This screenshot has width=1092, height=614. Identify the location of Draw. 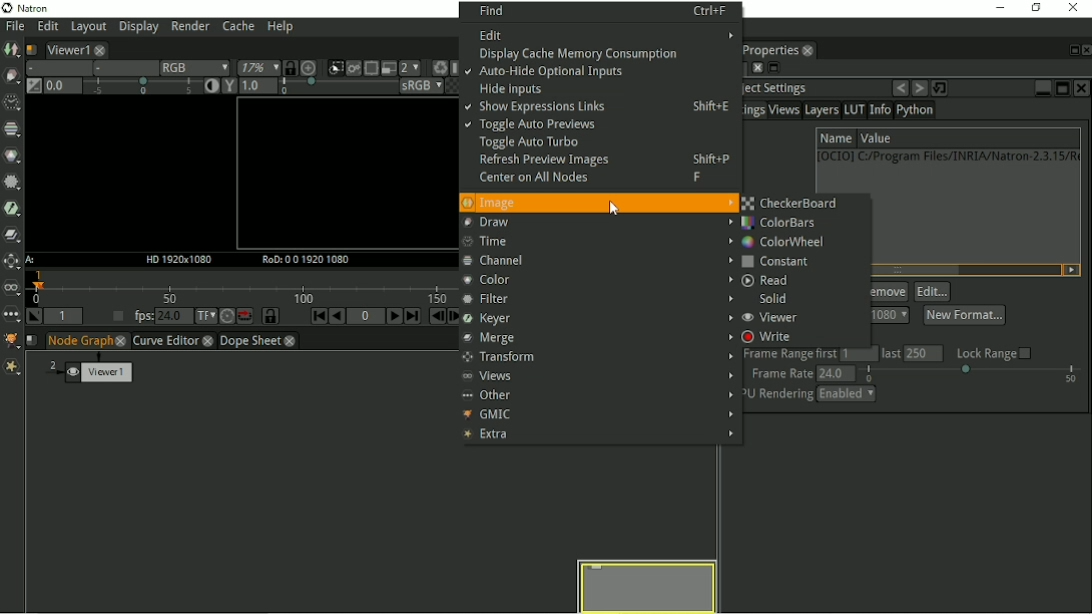
(597, 223).